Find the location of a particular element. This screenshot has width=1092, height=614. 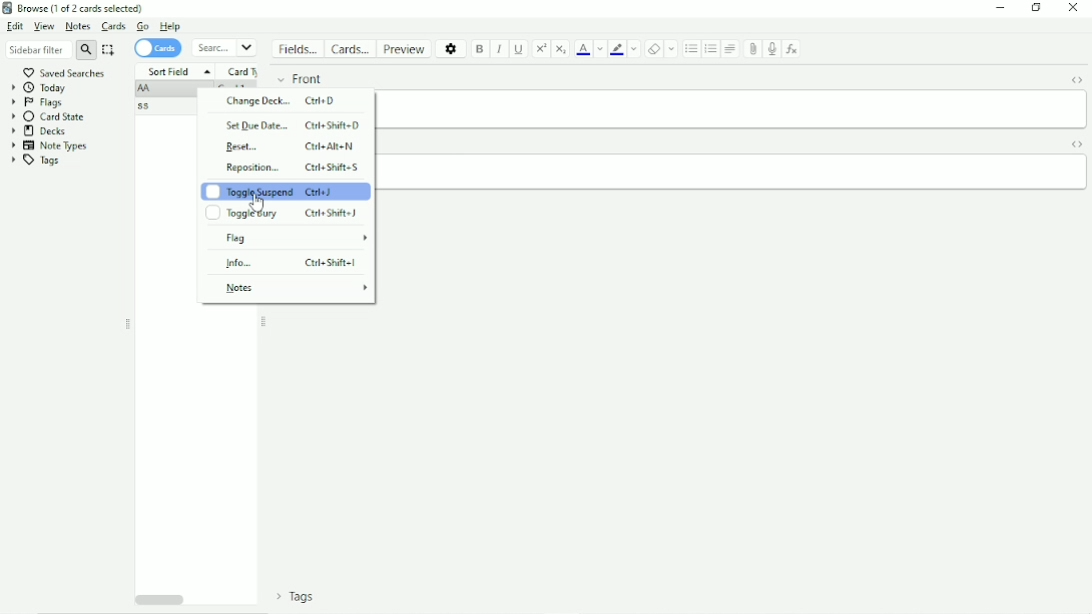

Bold is located at coordinates (481, 49).